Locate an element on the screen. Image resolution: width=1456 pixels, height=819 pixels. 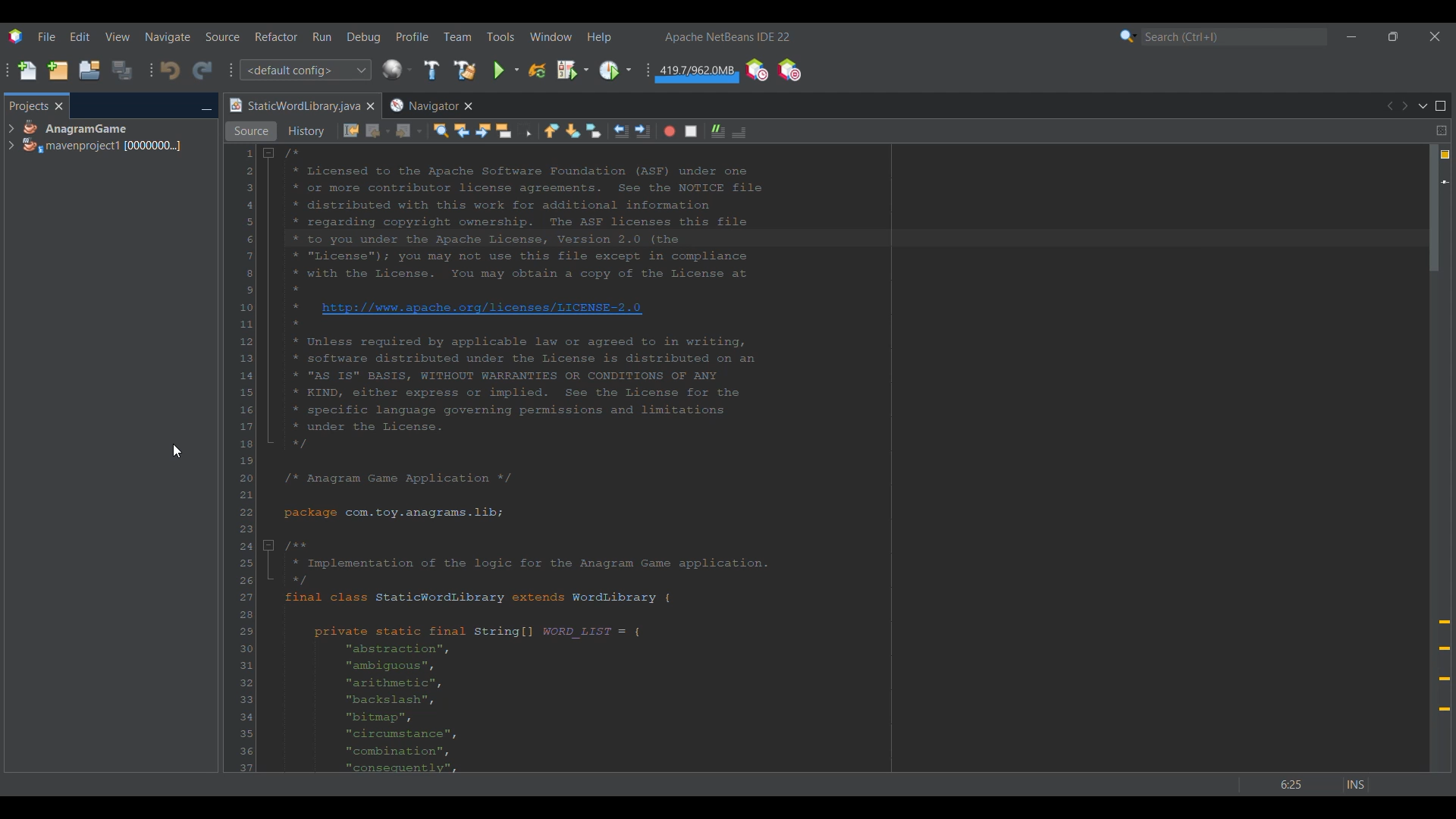
Open project is located at coordinates (89, 70).